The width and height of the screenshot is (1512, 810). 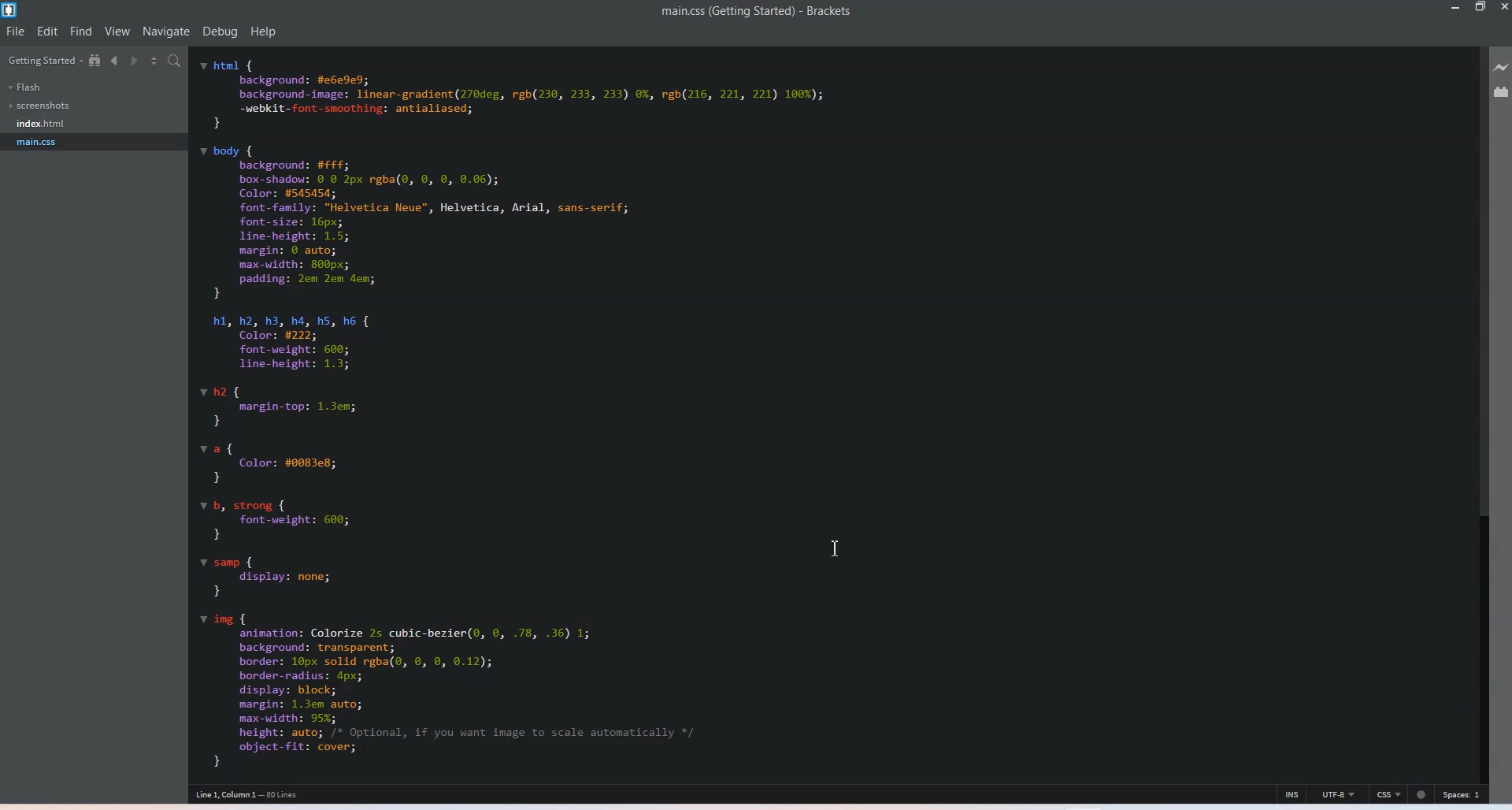 What do you see at coordinates (1480, 412) in the screenshot?
I see `Vertical scroll bar` at bounding box center [1480, 412].